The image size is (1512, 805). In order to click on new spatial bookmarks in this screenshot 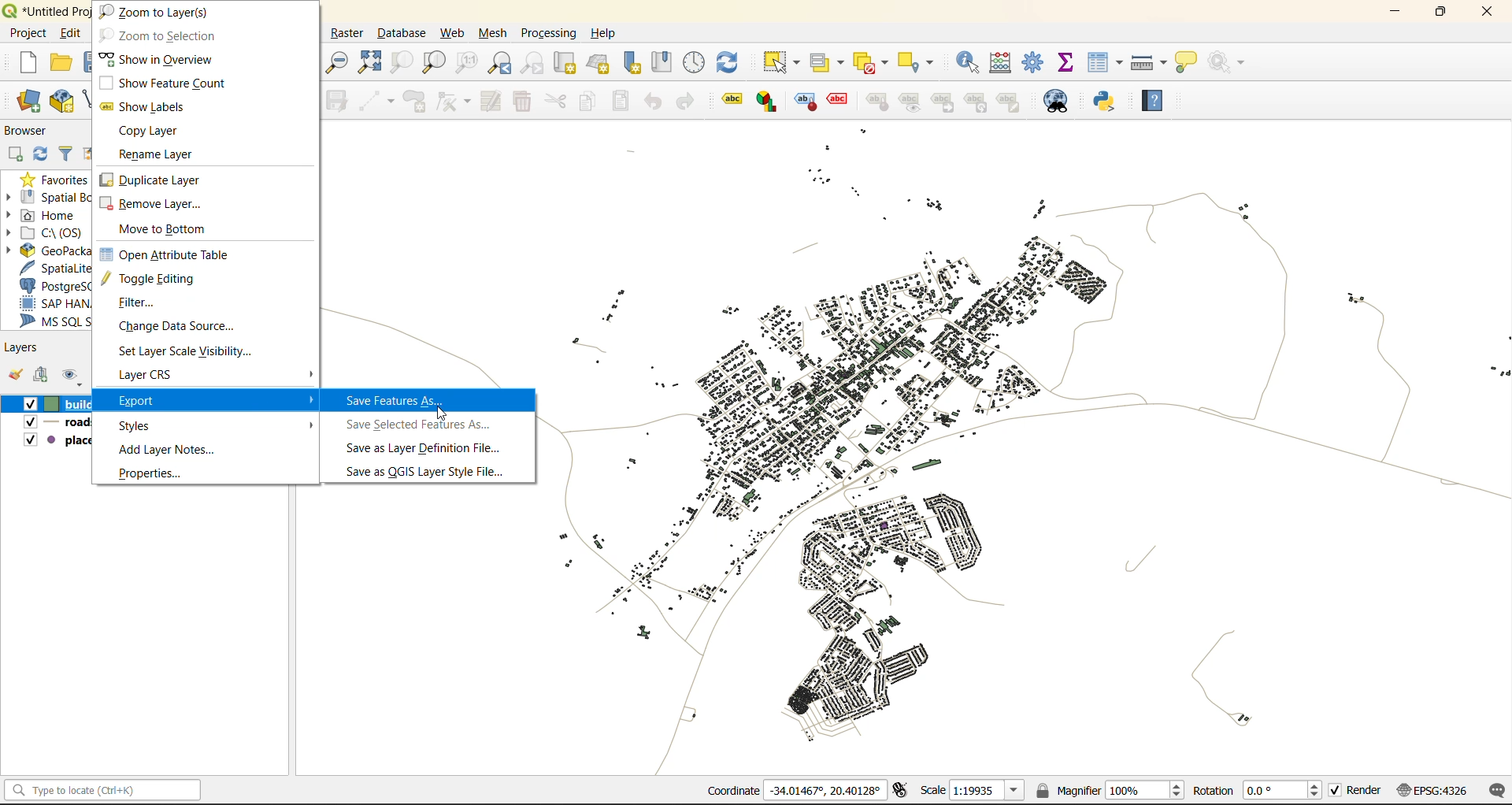, I will do `click(629, 63)`.